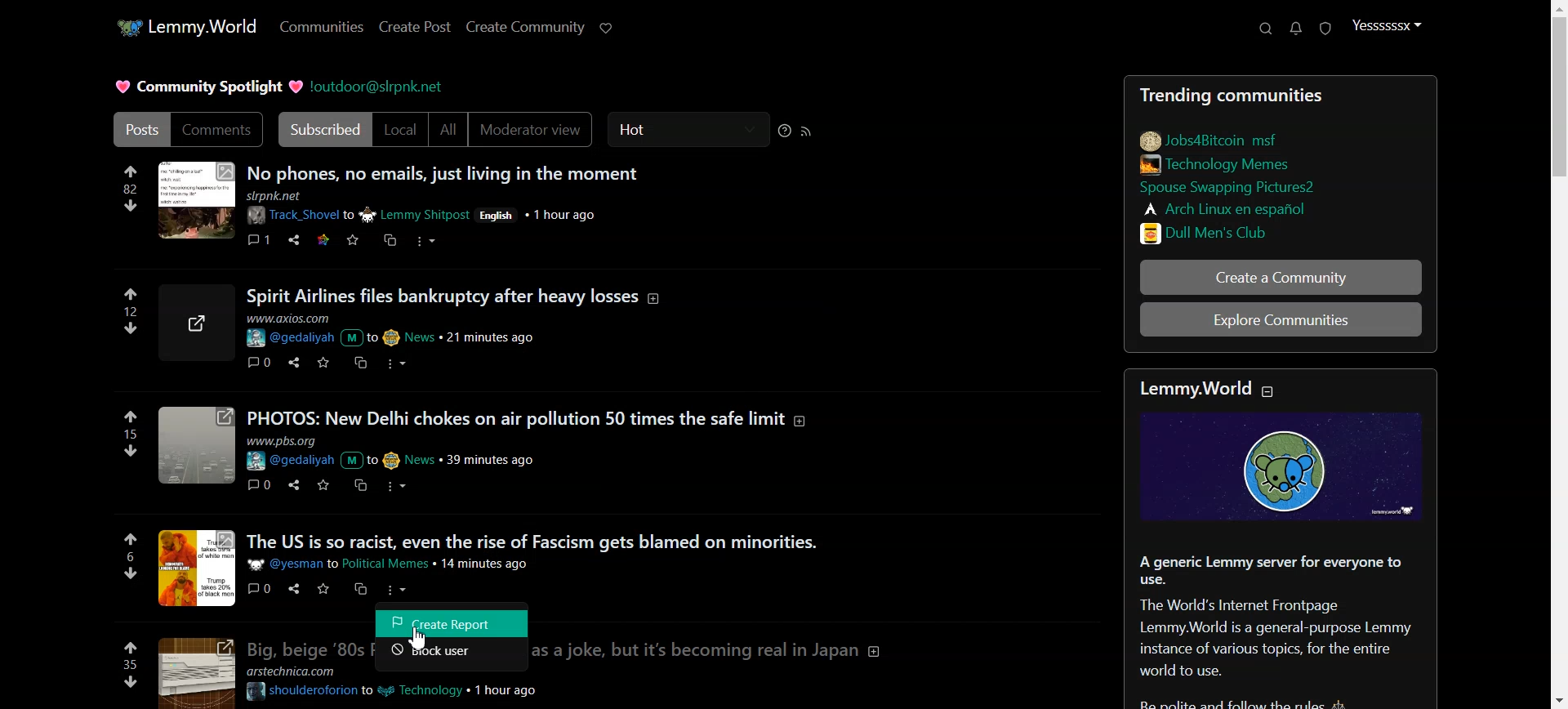 The height and width of the screenshot is (709, 1568). What do you see at coordinates (1279, 92) in the screenshot?
I see `Posts` at bounding box center [1279, 92].